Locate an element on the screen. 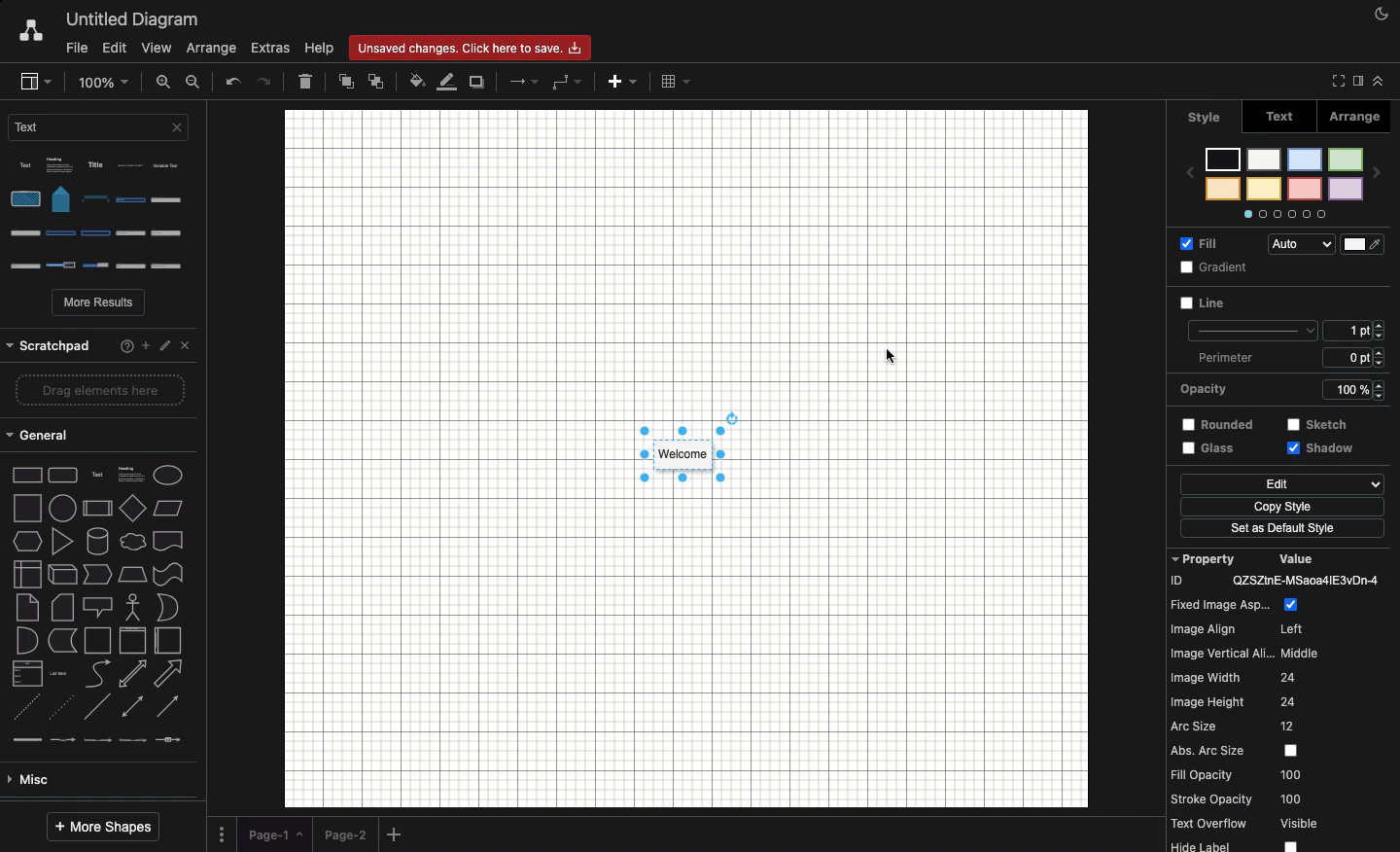 The width and height of the screenshot is (1400, 852). Redo is located at coordinates (266, 81).